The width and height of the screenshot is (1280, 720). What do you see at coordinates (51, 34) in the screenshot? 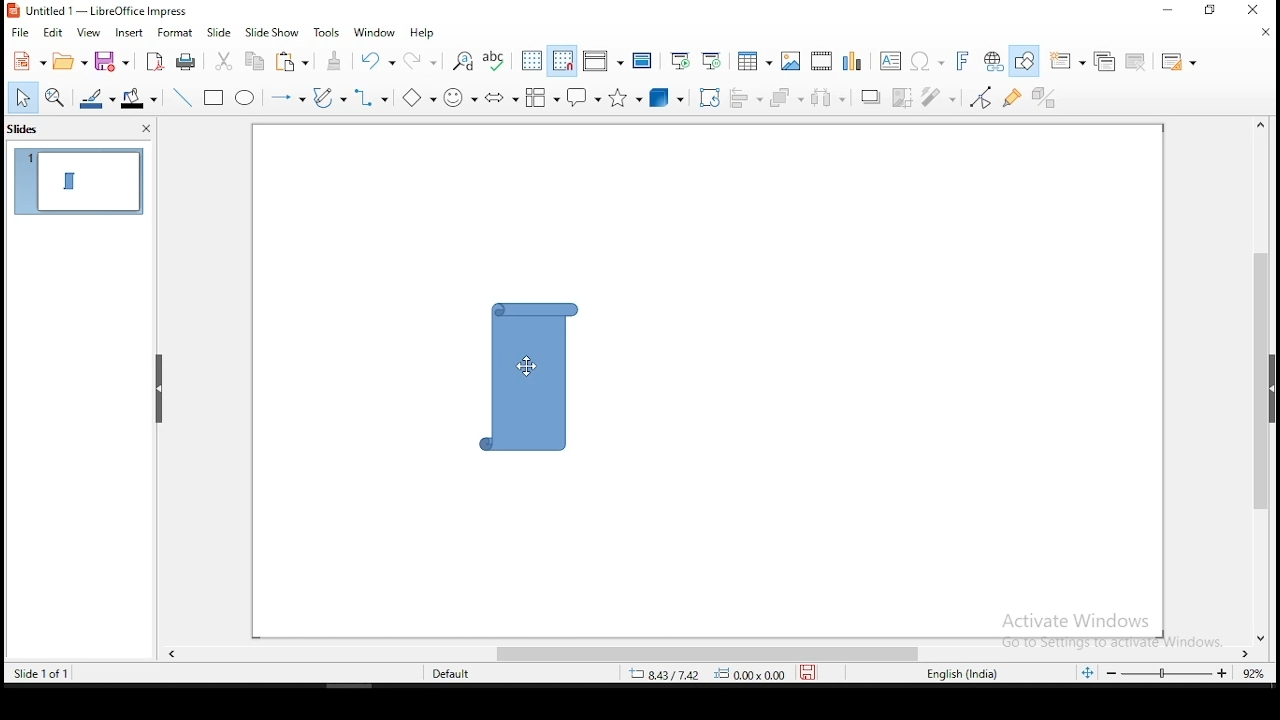
I see `edit` at bounding box center [51, 34].